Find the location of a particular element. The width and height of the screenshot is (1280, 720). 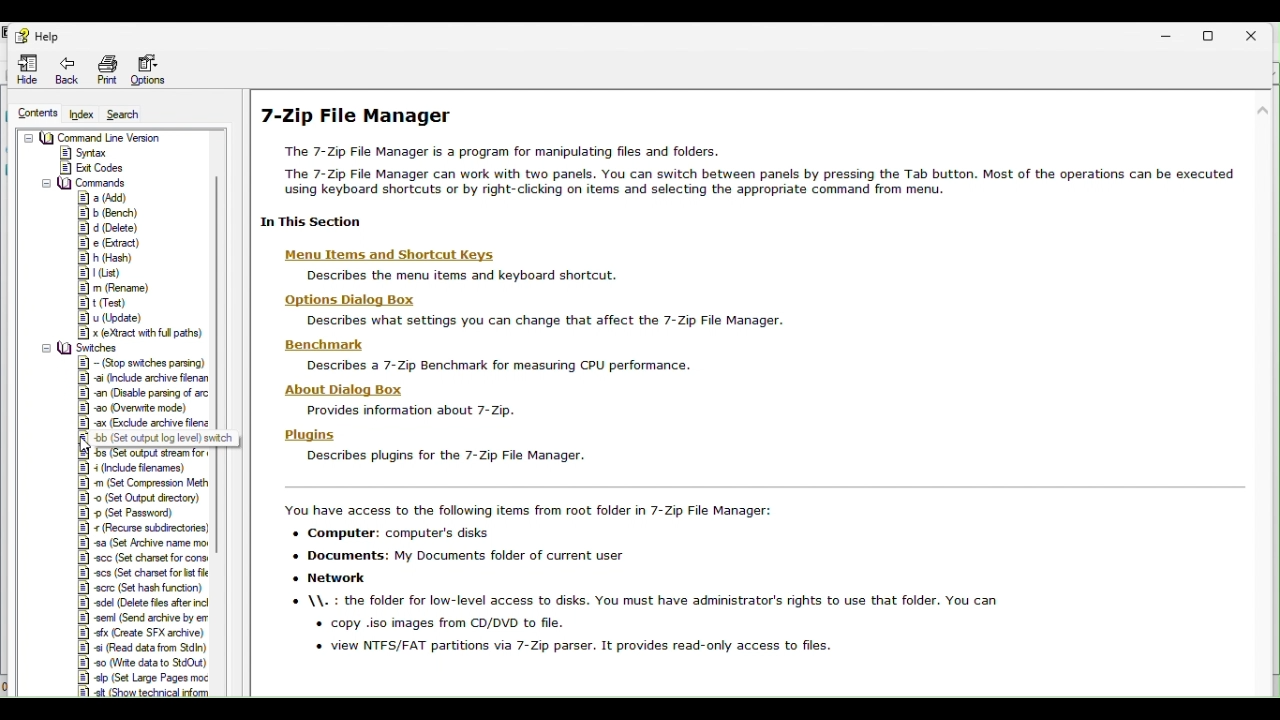

back is located at coordinates (65, 69).